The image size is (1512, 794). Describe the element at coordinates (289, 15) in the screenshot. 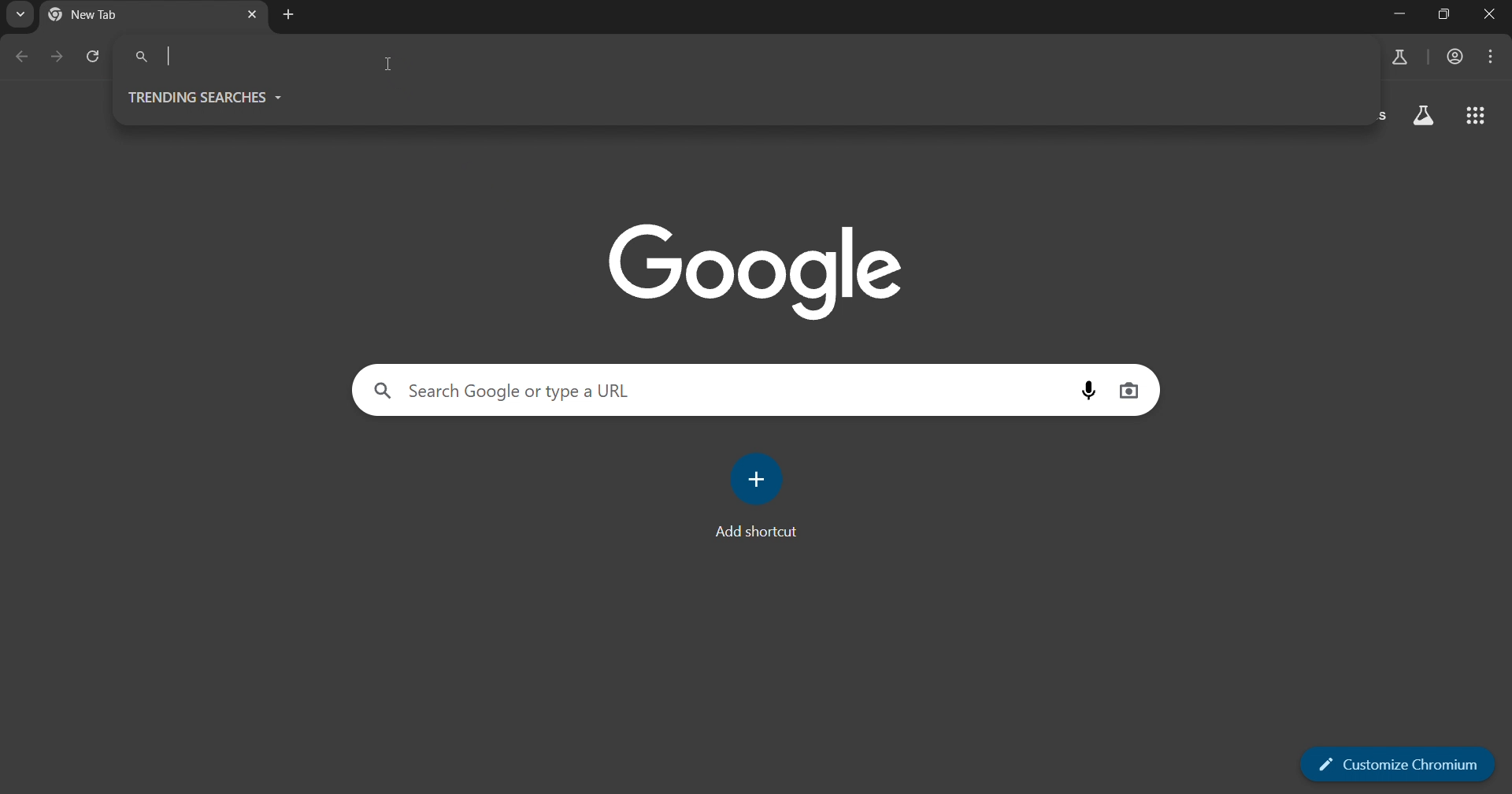

I see `new tab` at that location.